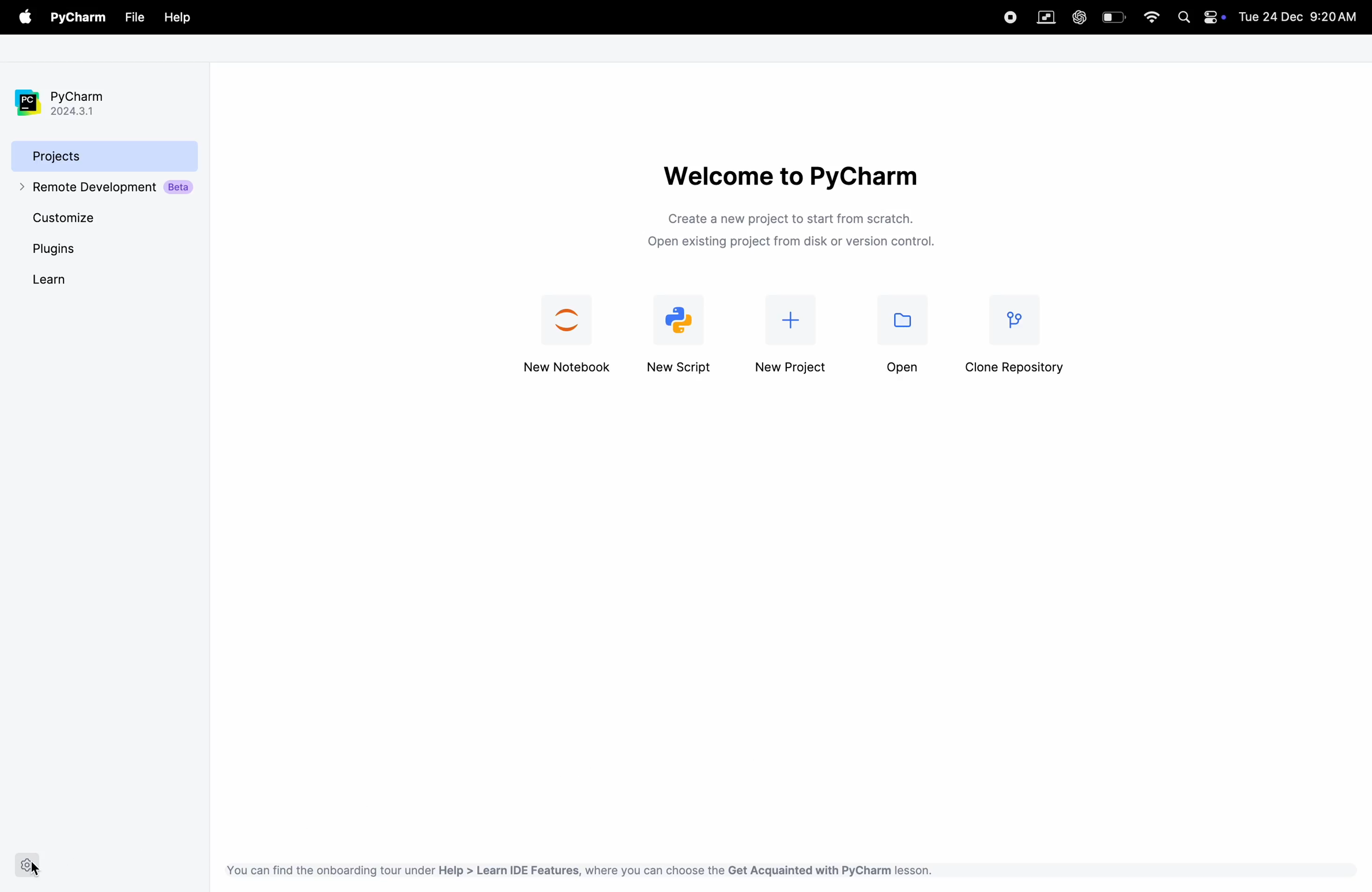 This screenshot has width=1372, height=892. Describe the element at coordinates (28, 865) in the screenshot. I see `settings` at that location.